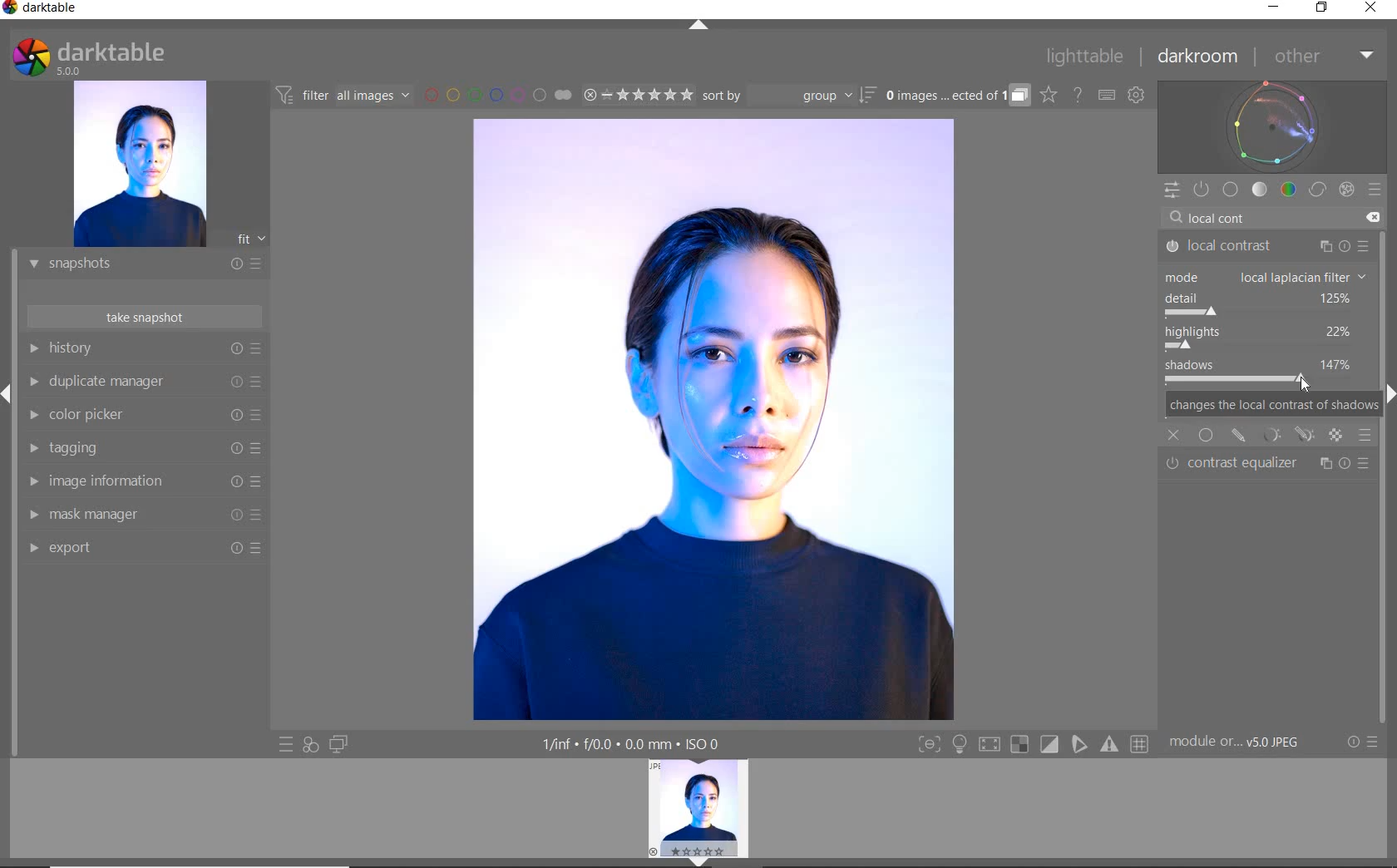 The image size is (1397, 868). Describe the element at coordinates (1202, 190) in the screenshot. I see `SHOW ONLY ACTIVE MODULES` at that location.